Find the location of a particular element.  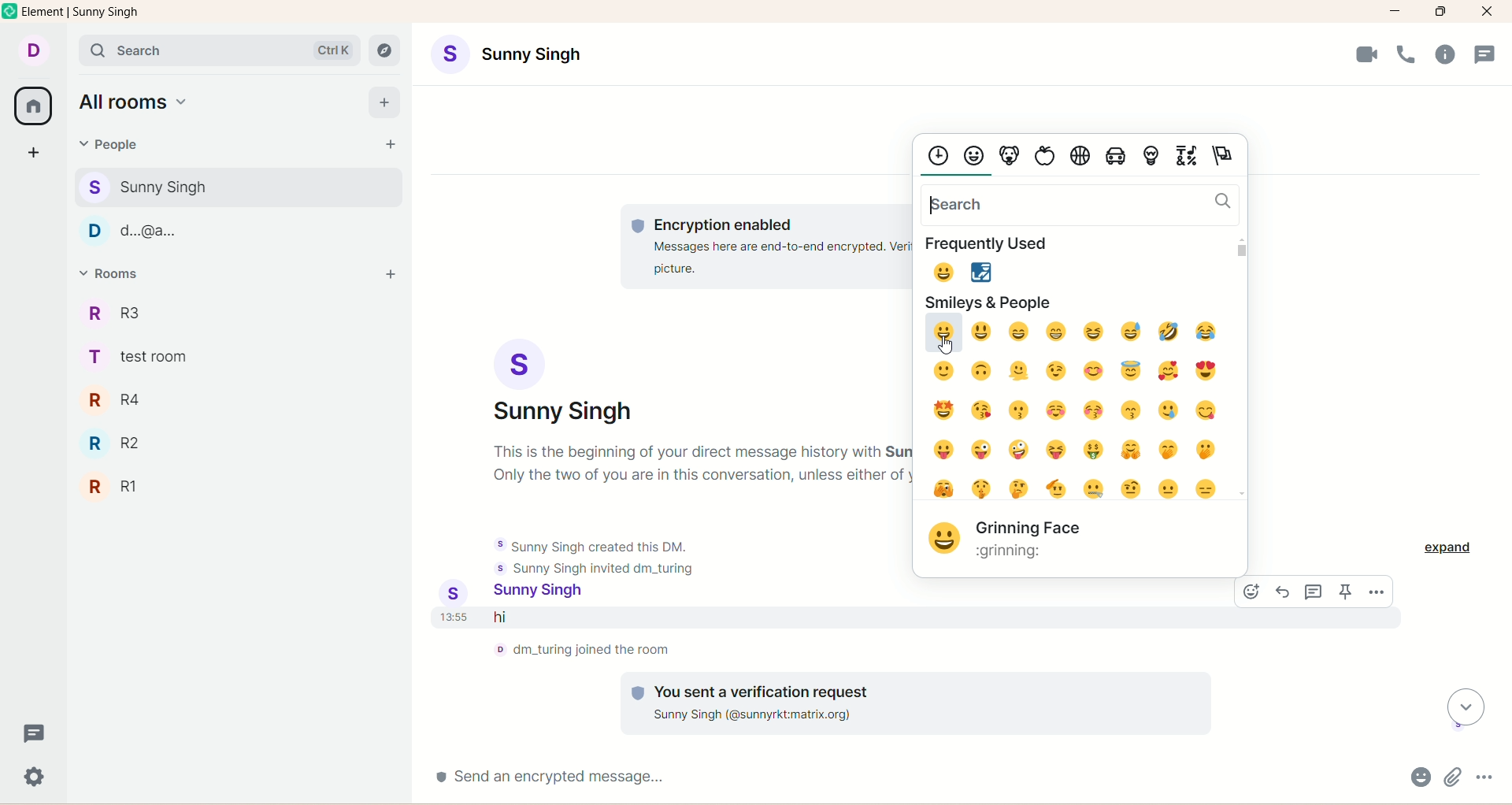

R1 is located at coordinates (139, 488).